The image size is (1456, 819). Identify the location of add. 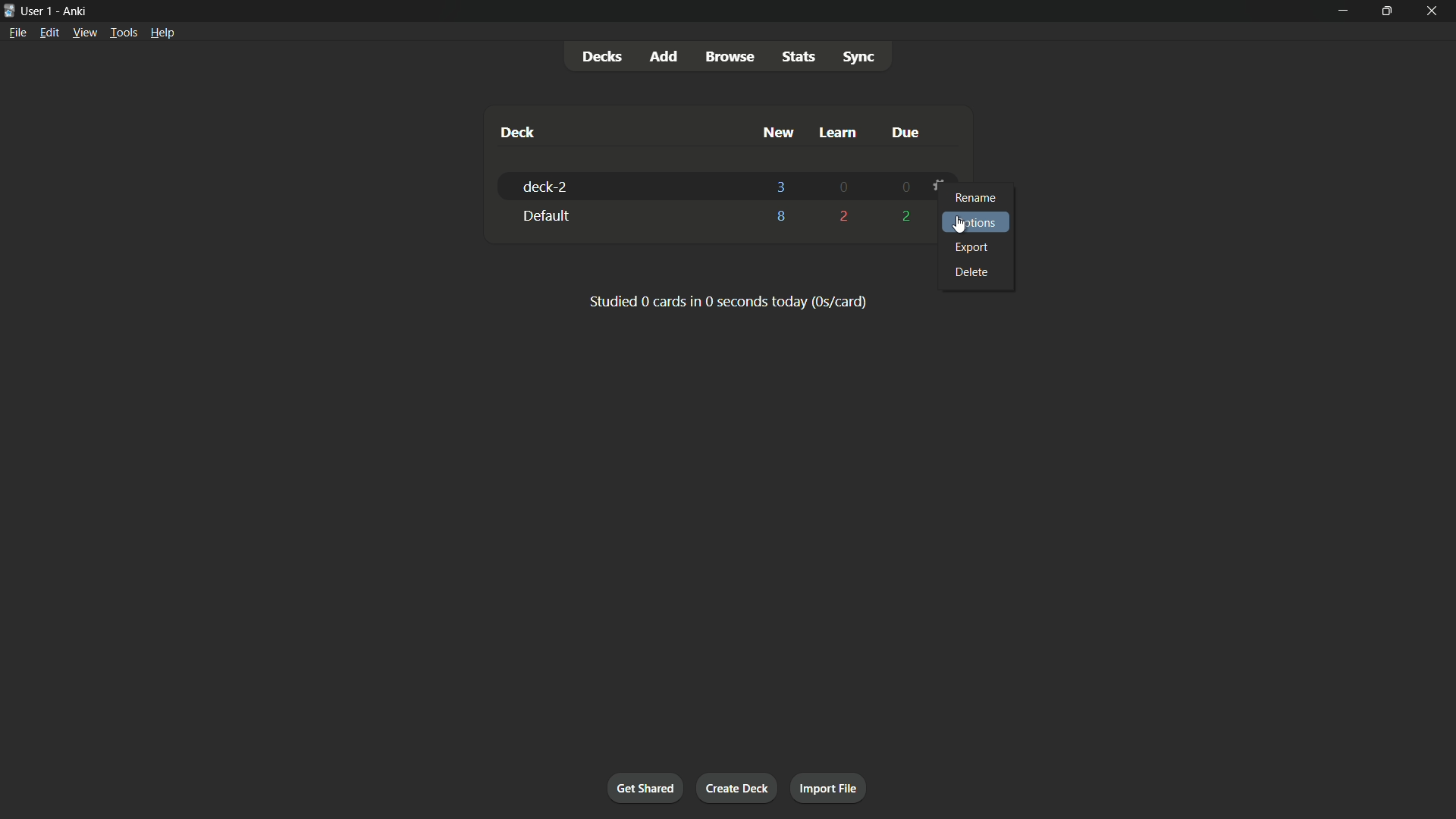
(664, 55).